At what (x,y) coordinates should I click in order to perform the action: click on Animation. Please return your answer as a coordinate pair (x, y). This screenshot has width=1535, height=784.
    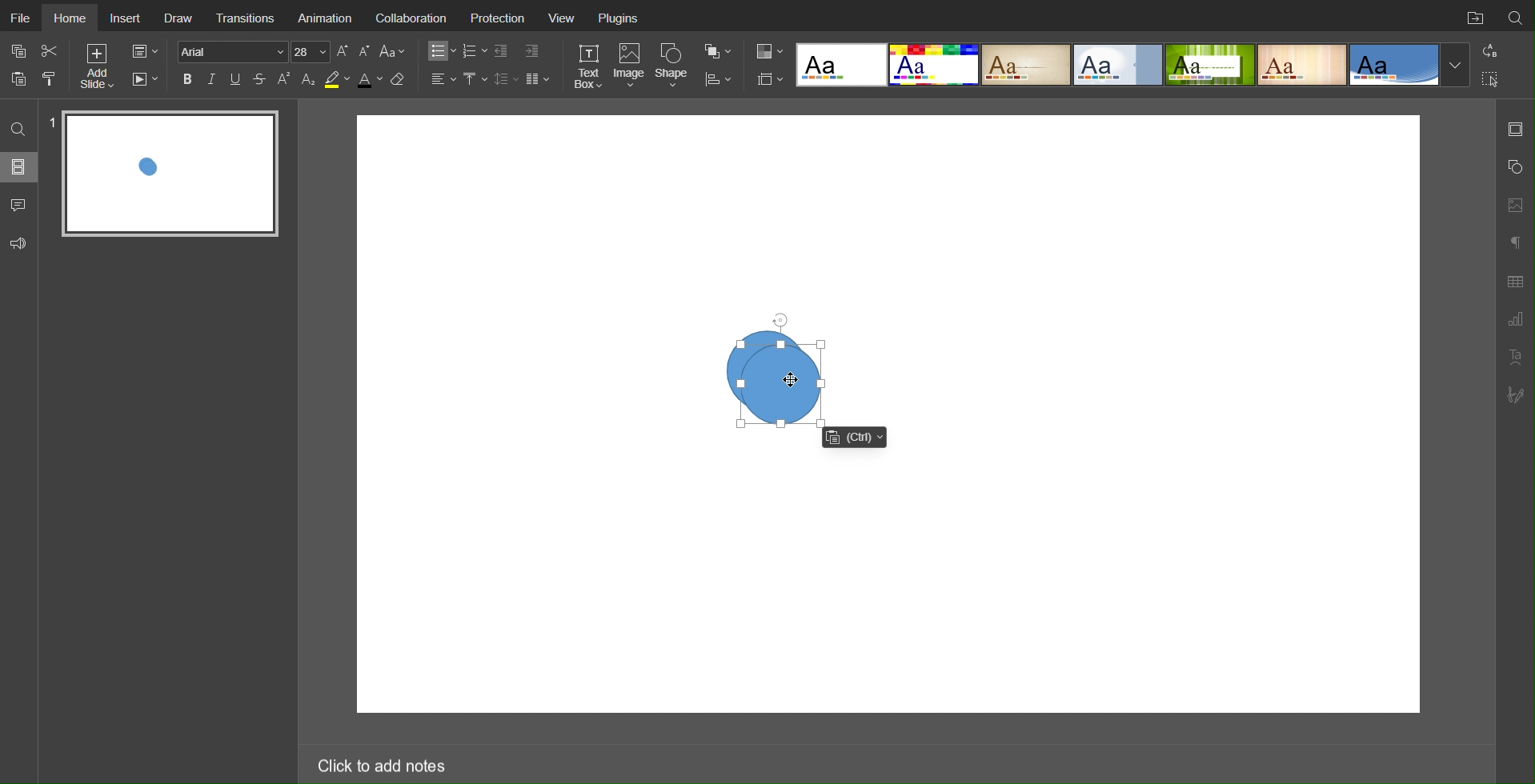
    Looking at the image, I should click on (328, 17).